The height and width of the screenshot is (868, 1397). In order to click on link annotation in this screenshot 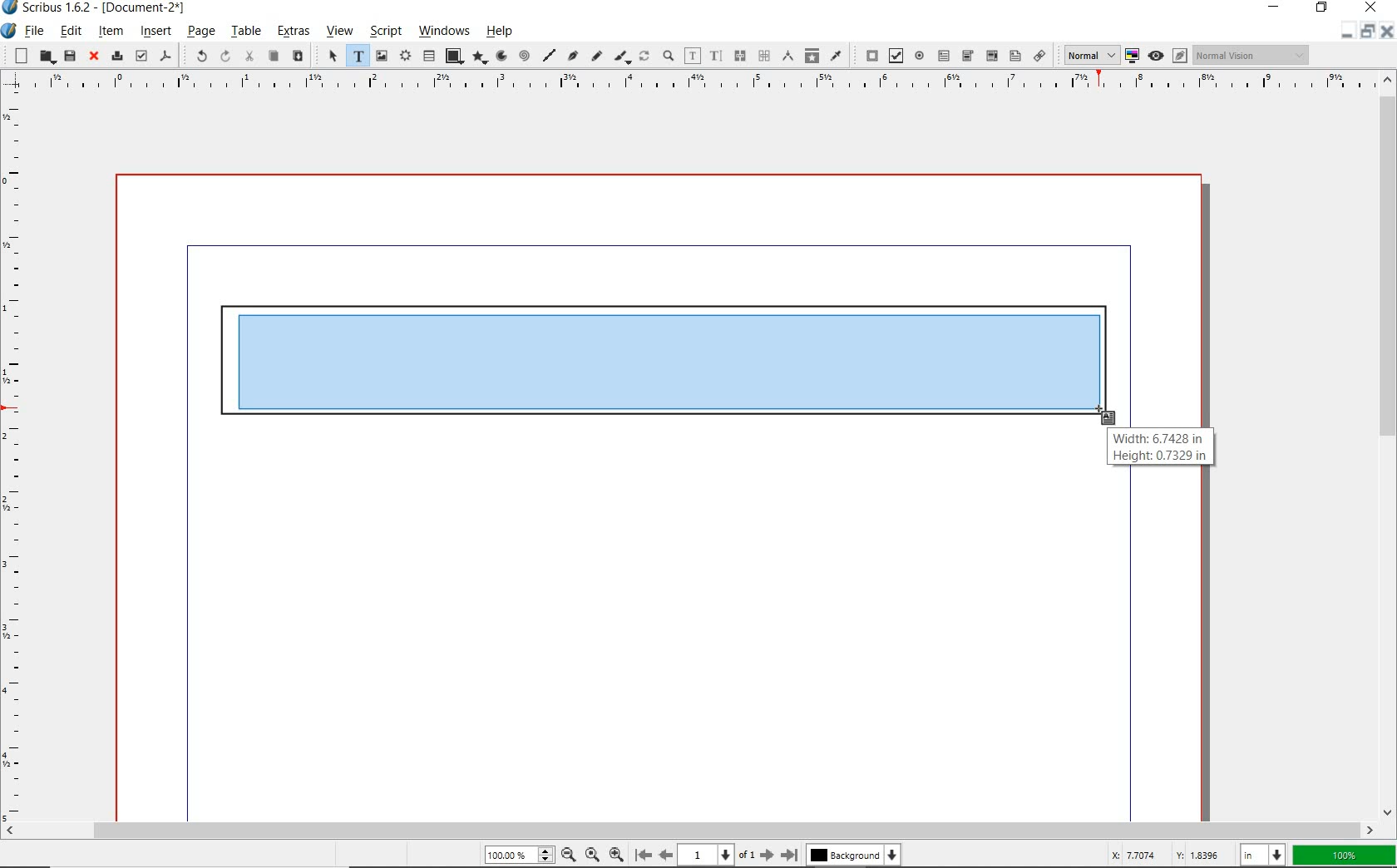, I will do `click(1039, 55)`.